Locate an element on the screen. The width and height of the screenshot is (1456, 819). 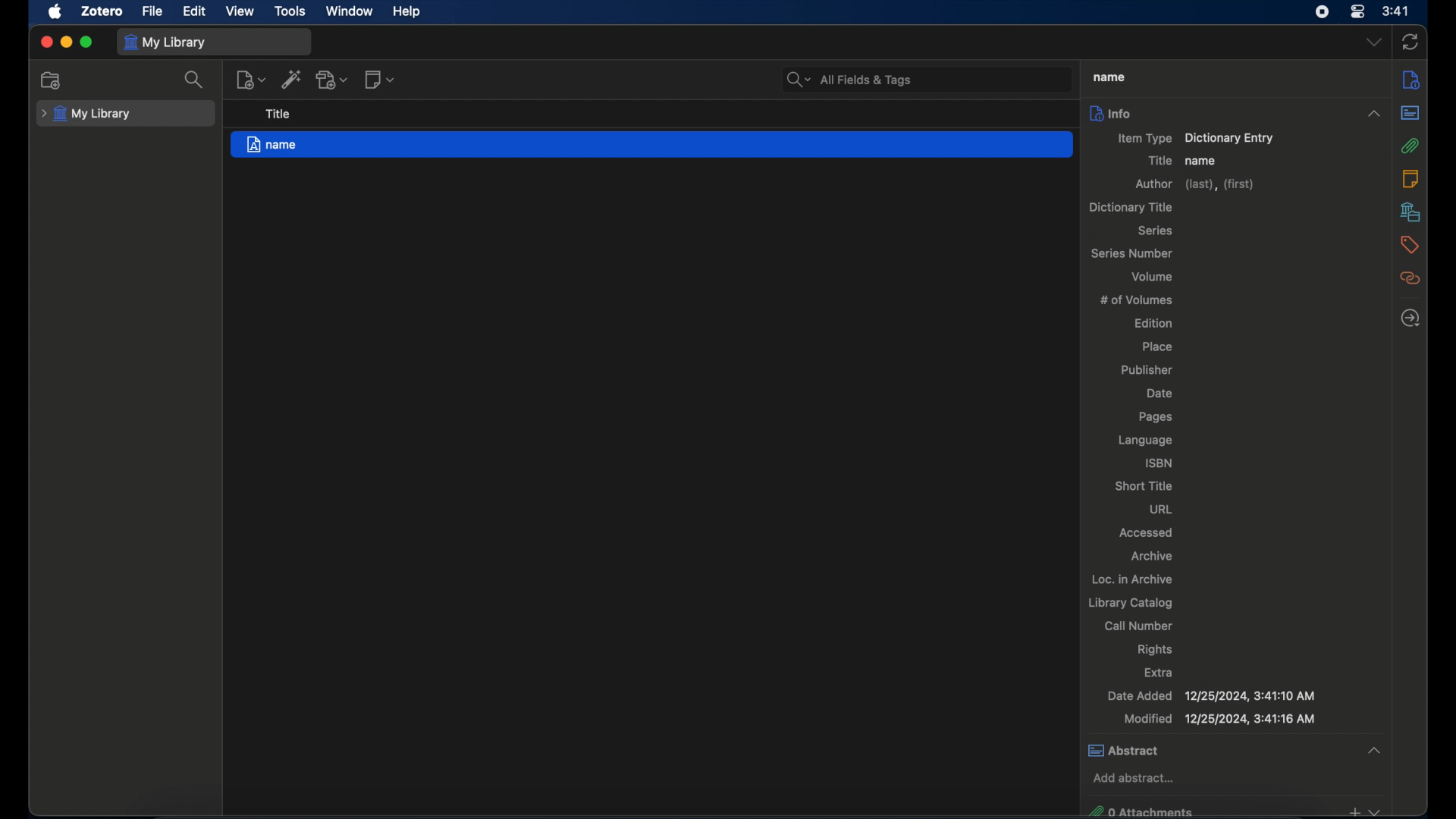
date added is located at coordinates (1212, 696).